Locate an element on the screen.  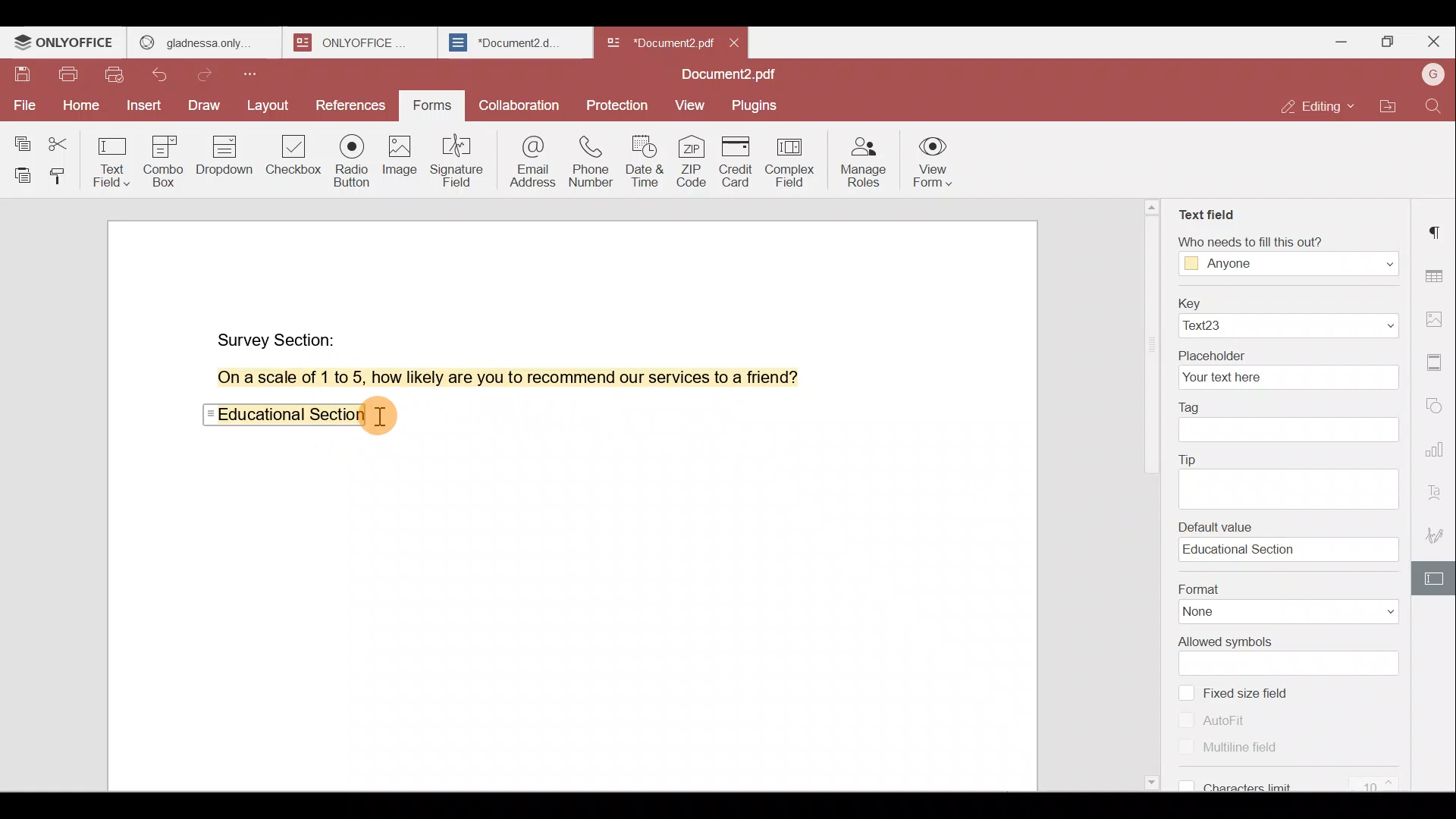
ZIP code is located at coordinates (693, 160).